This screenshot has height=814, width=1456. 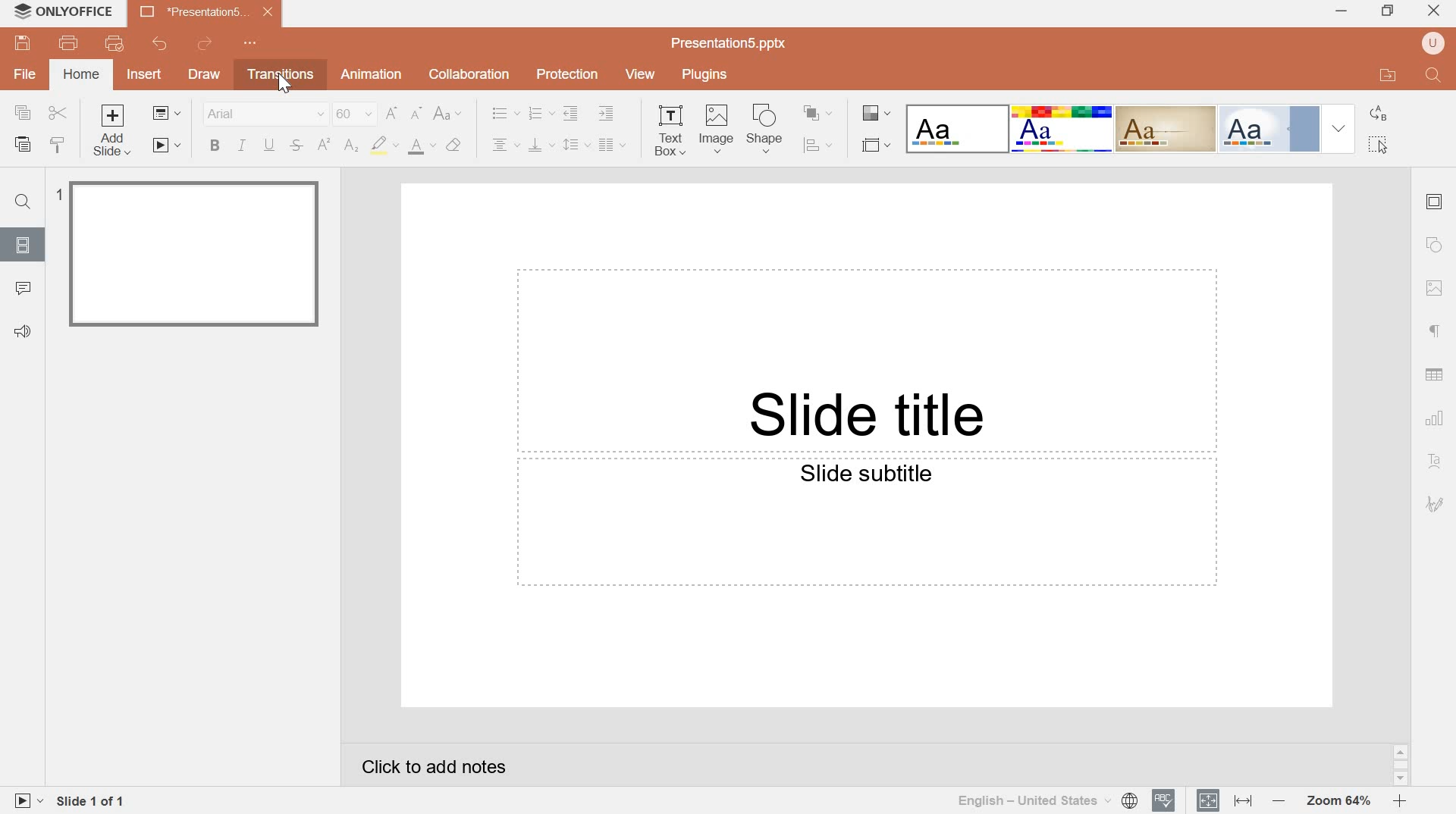 I want to click on Home, so click(x=82, y=73).